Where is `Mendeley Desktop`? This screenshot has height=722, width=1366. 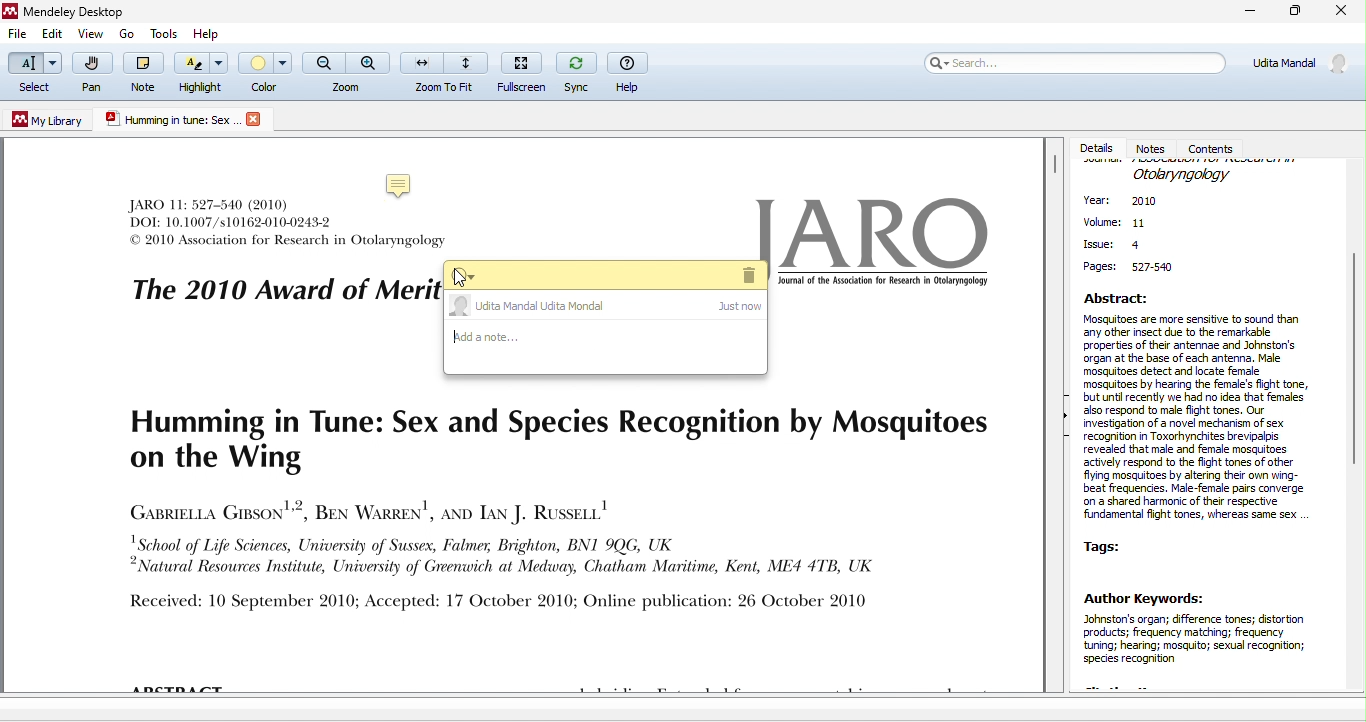 Mendeley Desktop is located at coordinates (81, 12).